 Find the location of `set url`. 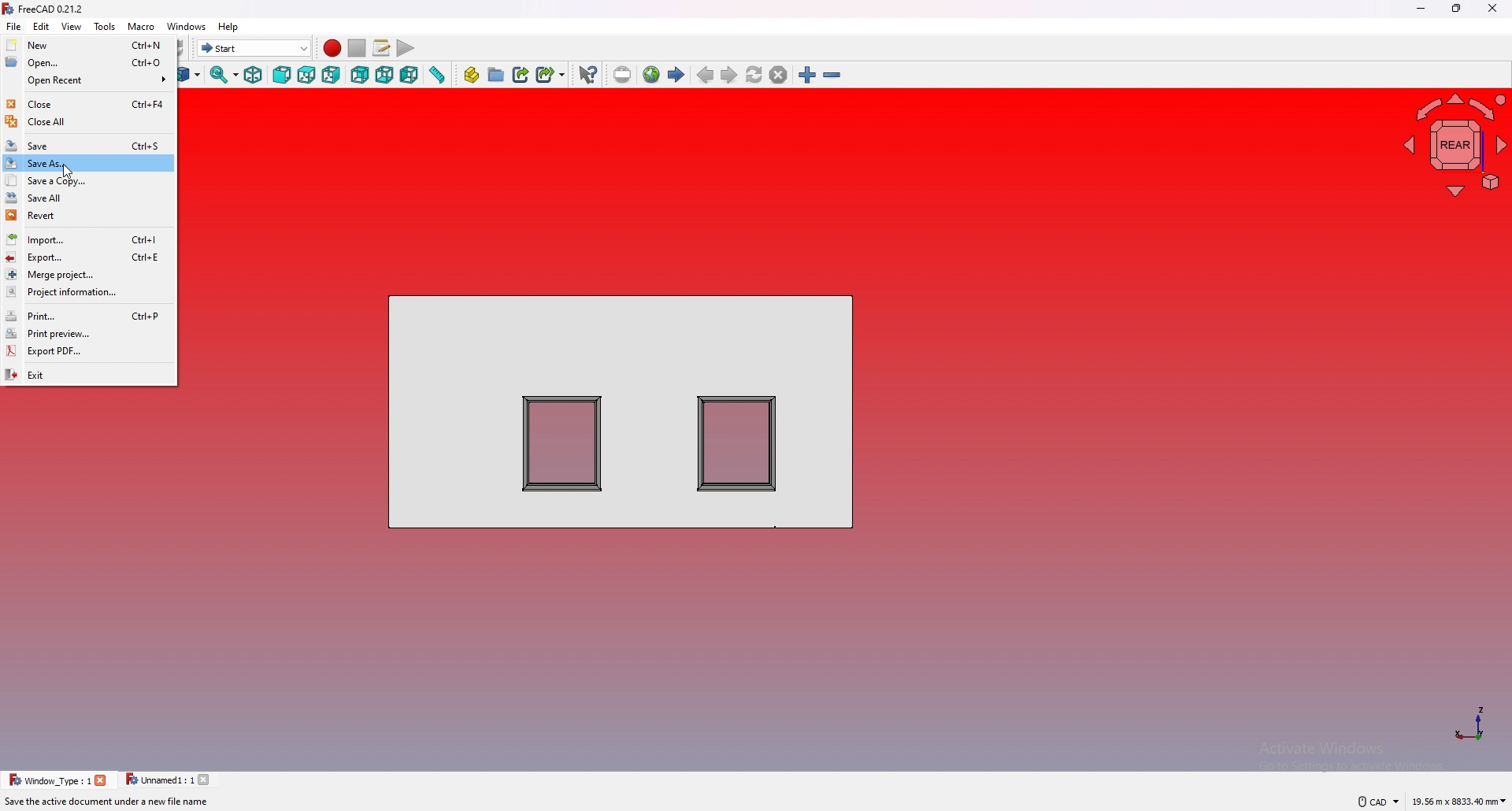

set url is located at coordinates (623, 75).